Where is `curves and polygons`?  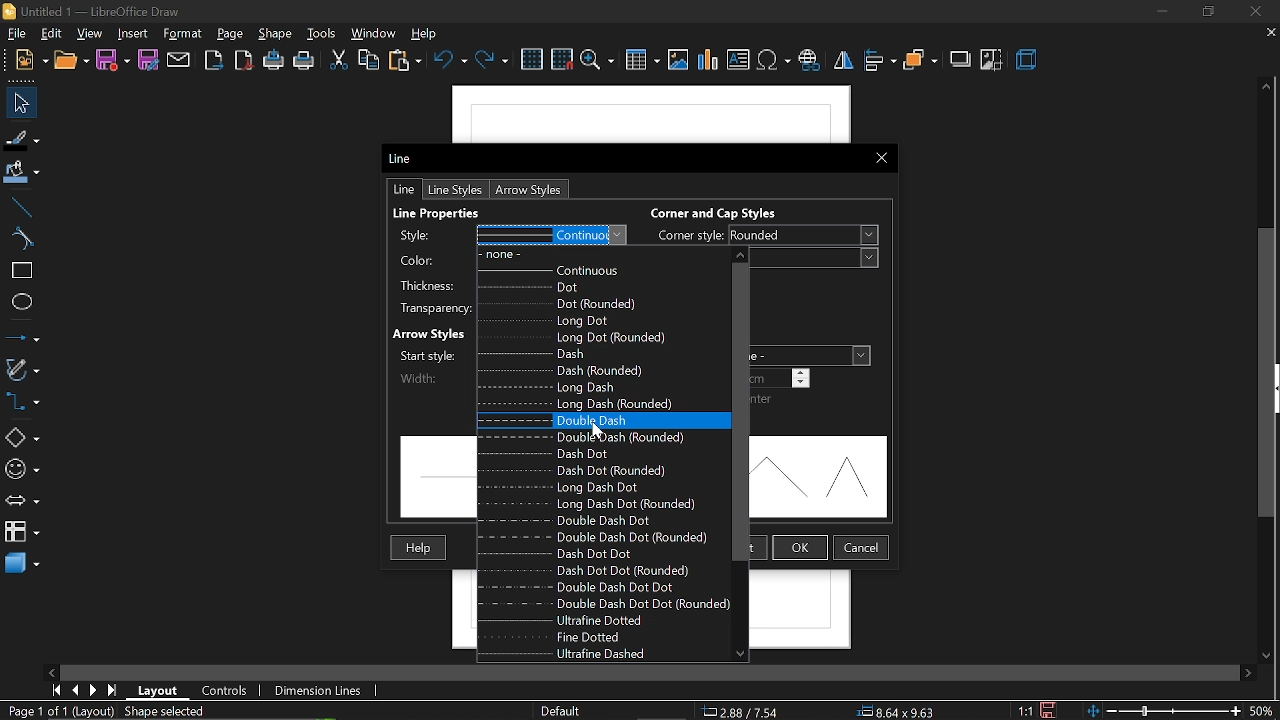 curves and polygons is located at coordinates (24, 369).